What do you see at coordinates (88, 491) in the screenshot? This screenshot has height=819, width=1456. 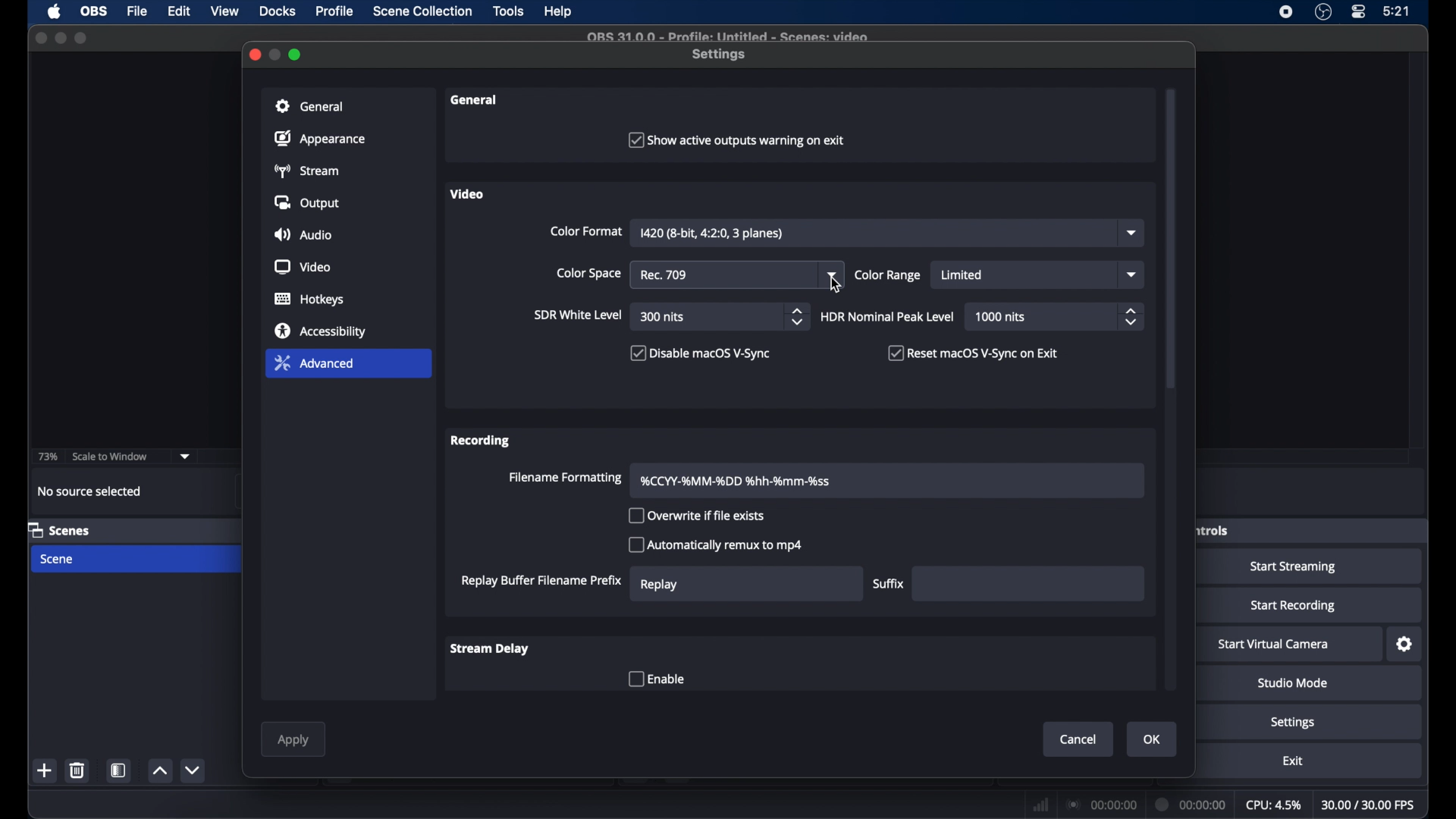 I see `no source selected` at bounding box center [88, 491].